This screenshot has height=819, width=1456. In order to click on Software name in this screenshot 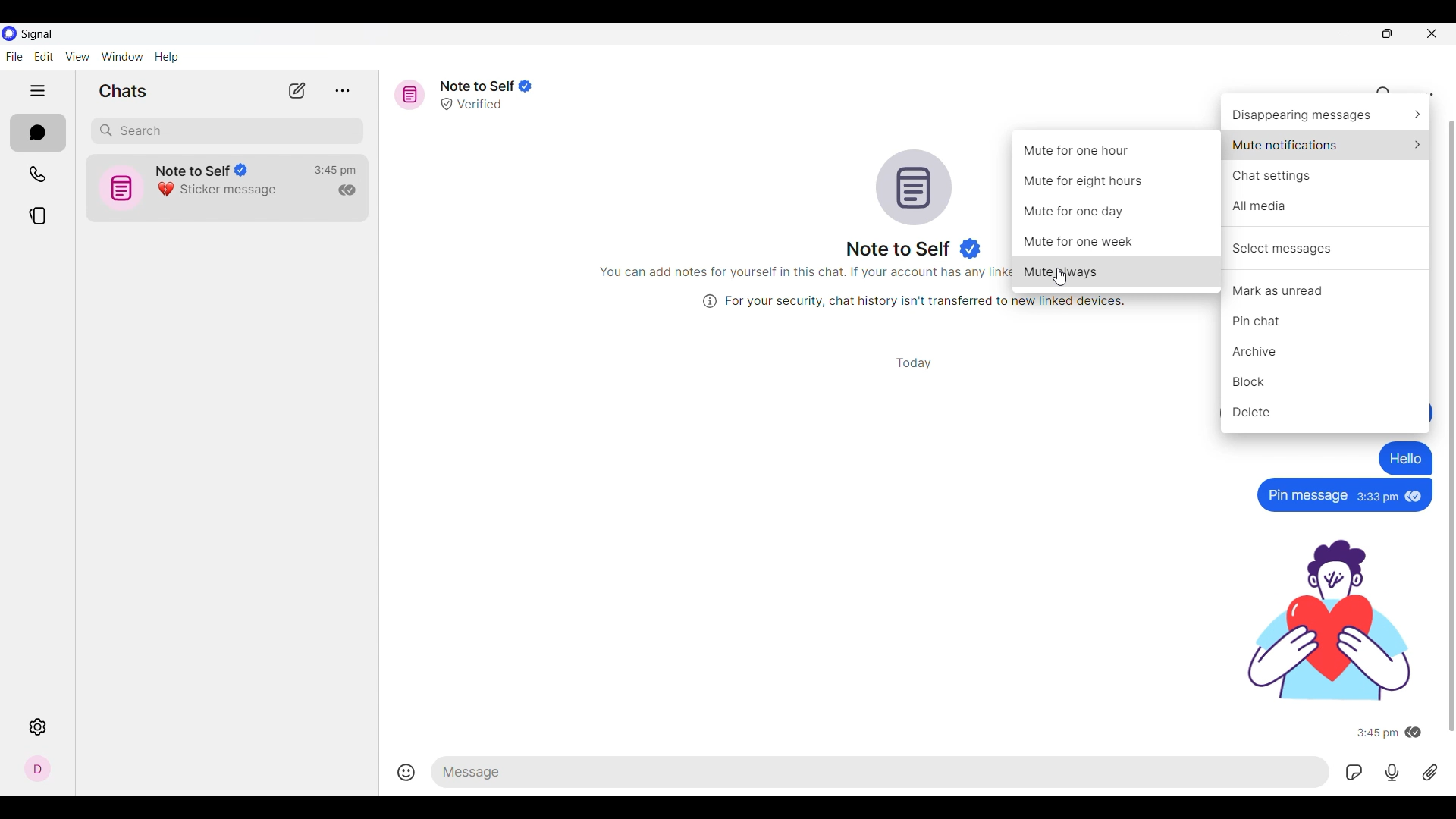, I will do `click(36, 34)`.